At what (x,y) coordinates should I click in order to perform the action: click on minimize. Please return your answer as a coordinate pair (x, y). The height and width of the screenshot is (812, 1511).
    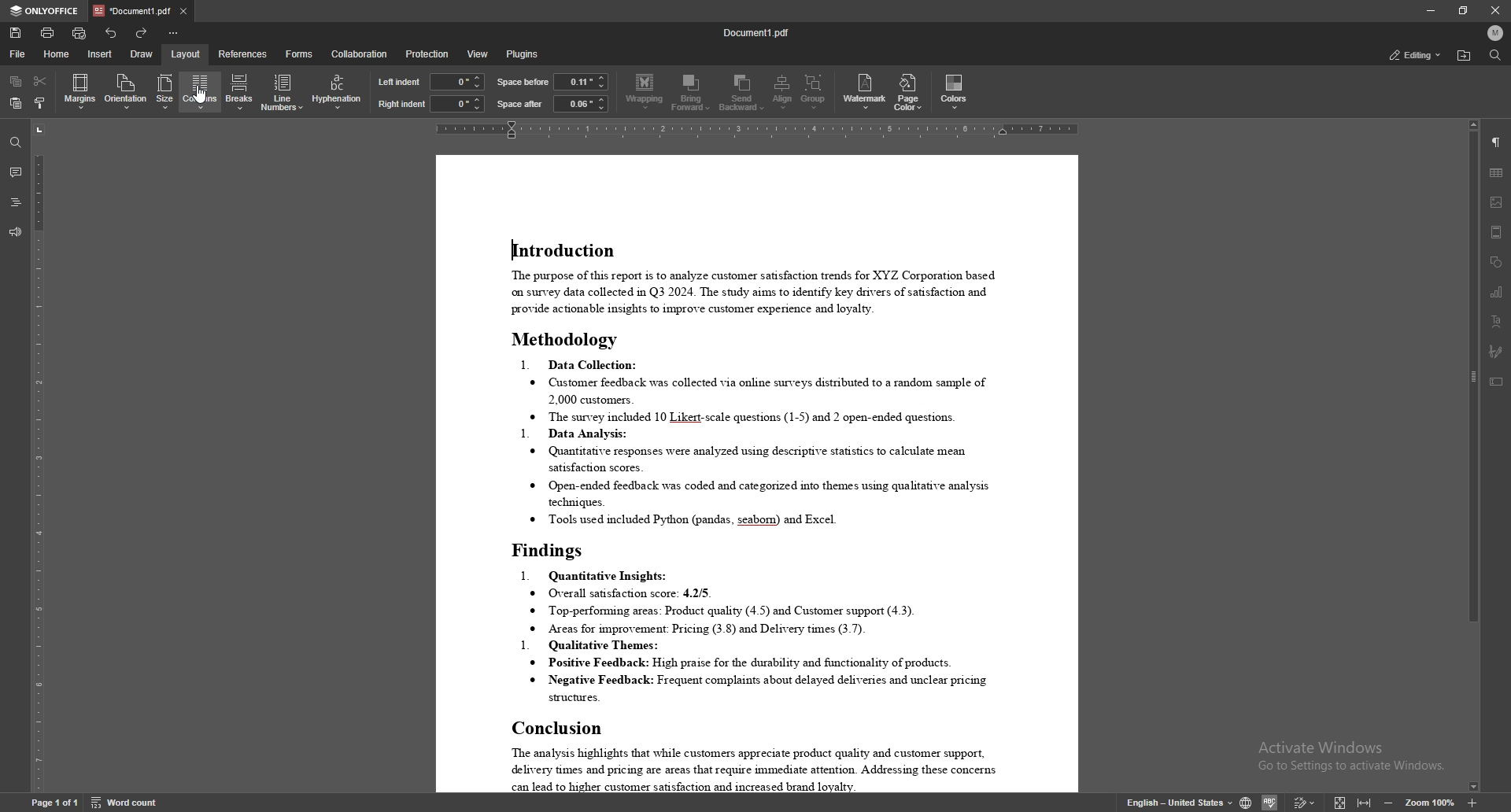
    Looking at the image, I should click on (1431, 10).